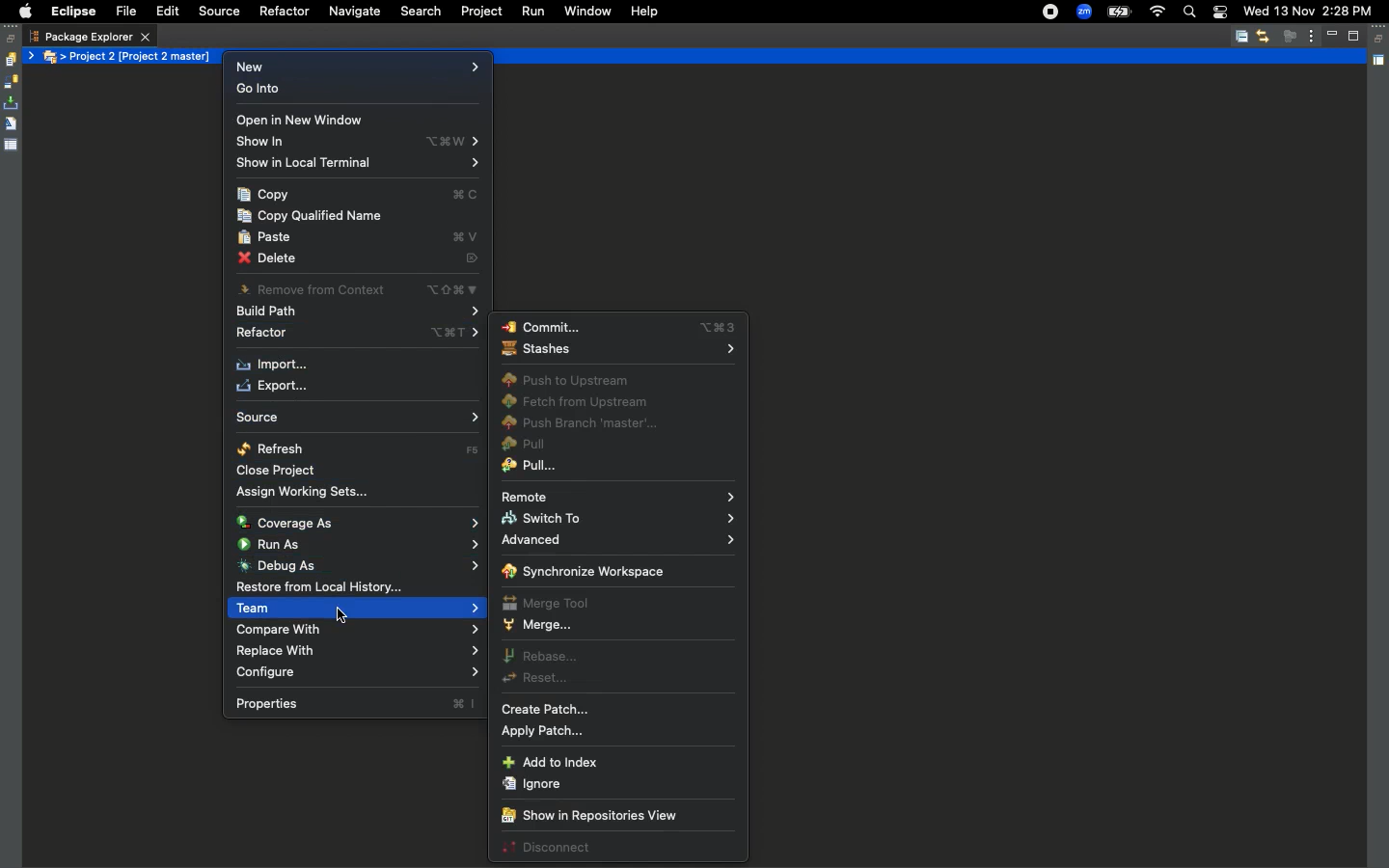 The image size is (1389, 868). Describe the element at coordinates (22, 12) in the screenshot. I see `Apple logo` at that location.